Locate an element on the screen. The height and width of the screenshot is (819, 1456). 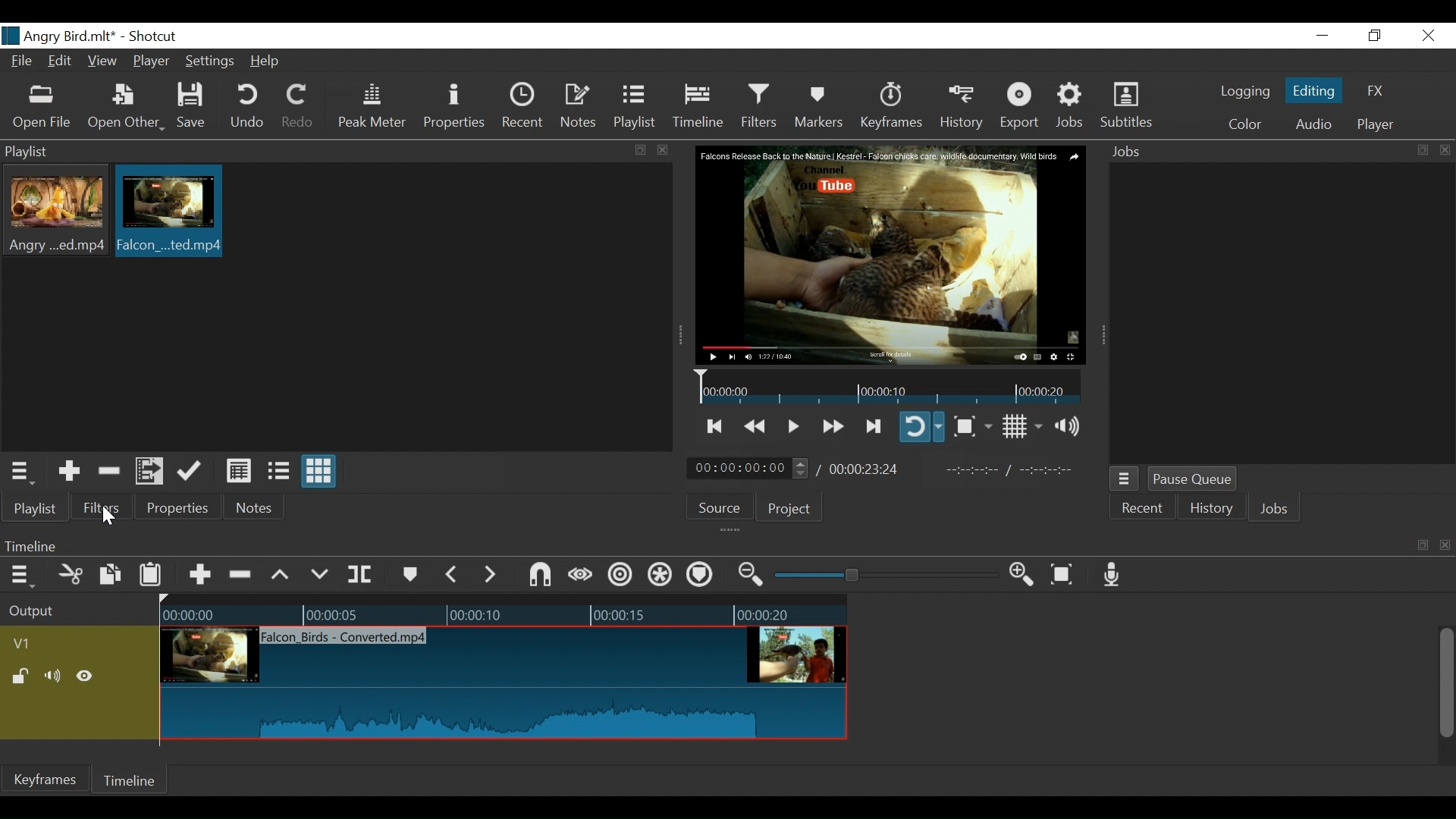
play forward quickly is located at coordinates (831, 428).